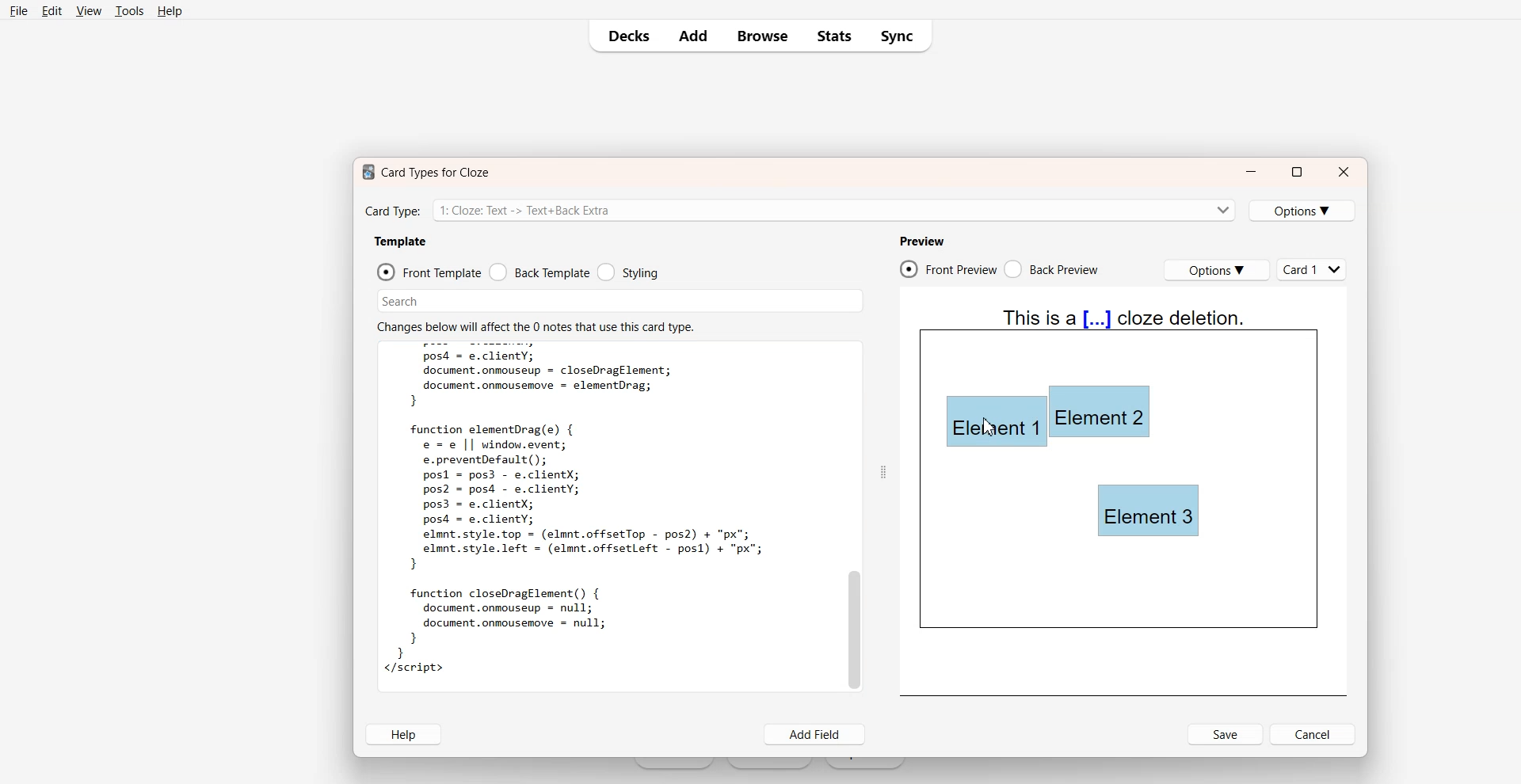 Image resolution: width=1521 pixels, height=784 pixels. What do you see at coordinates (853, 516) in the screenshot?
I see `Vertical Scroll Bar ` at bounding box center [853, 516].